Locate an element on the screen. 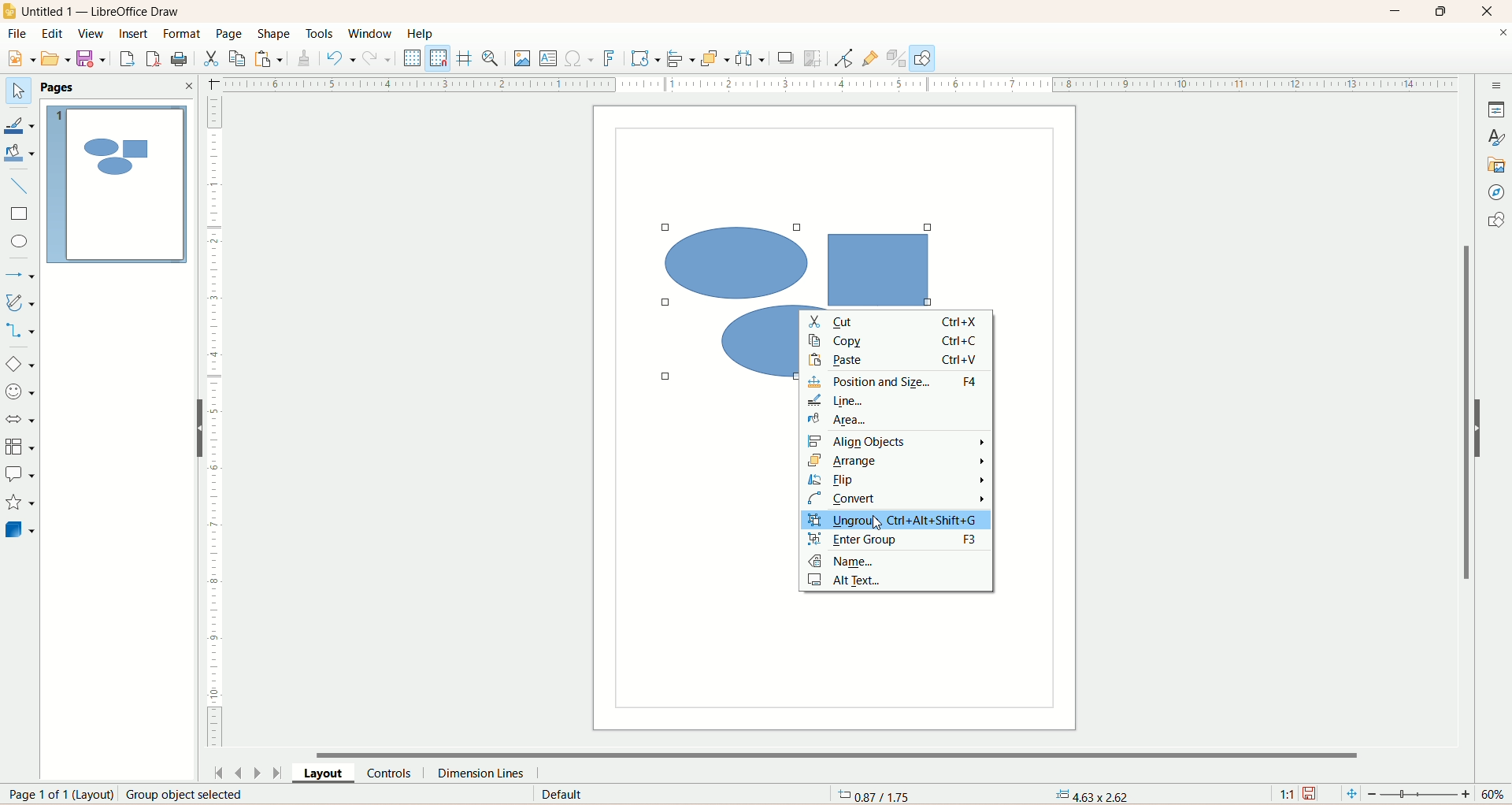 The height and width of the screenshot is (805, 1512). crop image is located at coordinates (813, 59).